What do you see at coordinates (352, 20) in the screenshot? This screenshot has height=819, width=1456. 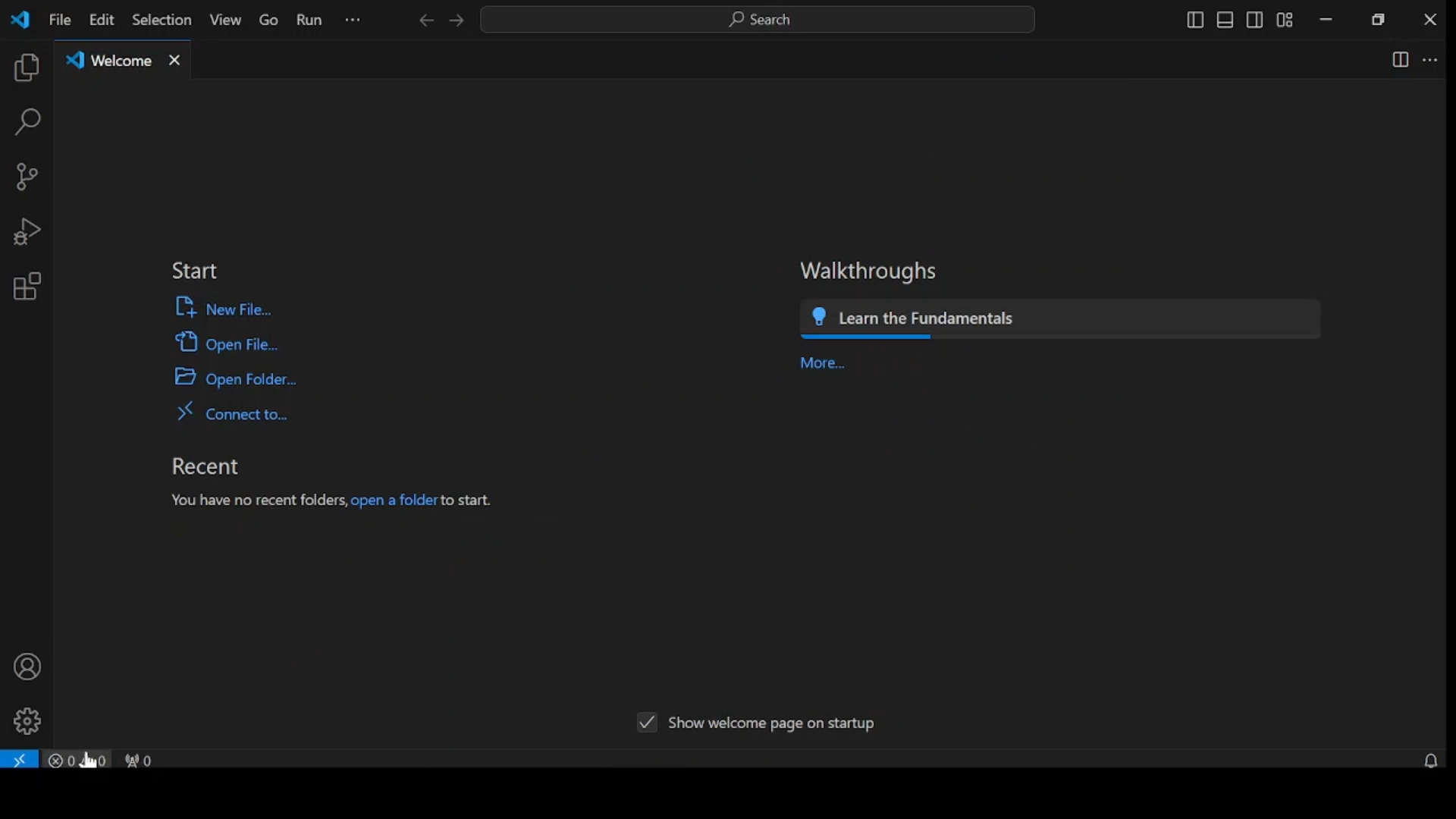 I see `more options` at bounding box center [352, 20].